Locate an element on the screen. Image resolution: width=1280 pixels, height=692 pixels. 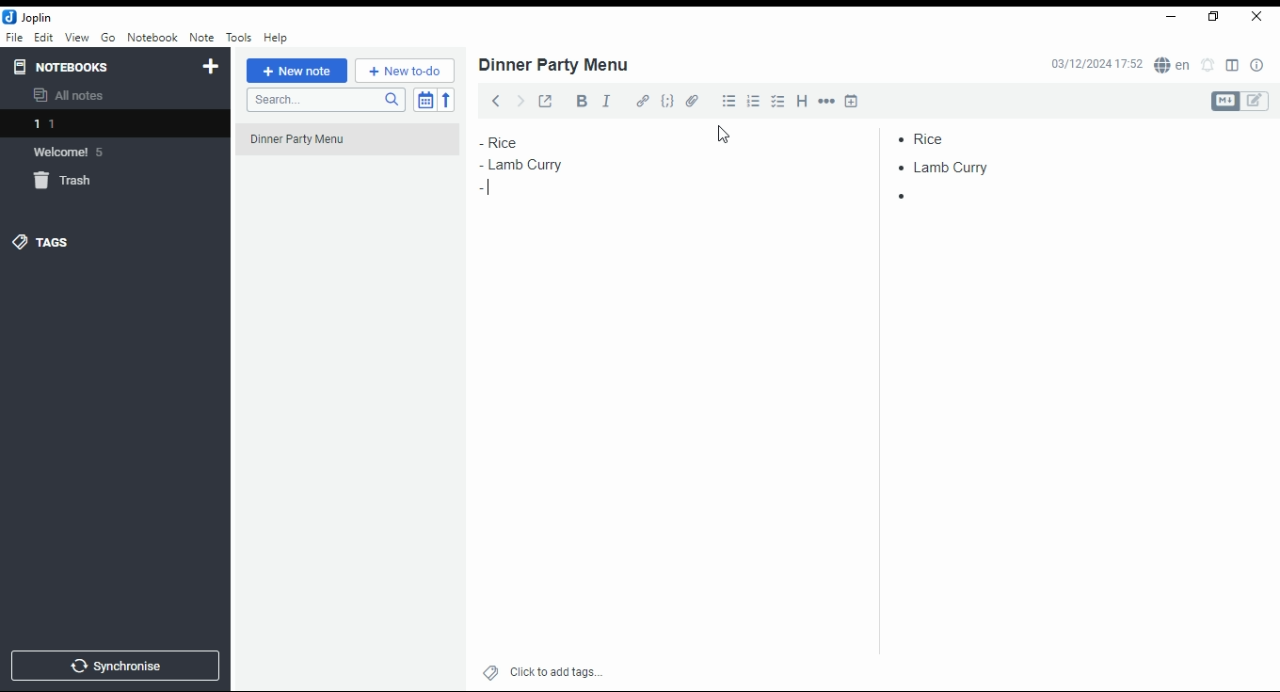
view is located at coordinates (76, 38).